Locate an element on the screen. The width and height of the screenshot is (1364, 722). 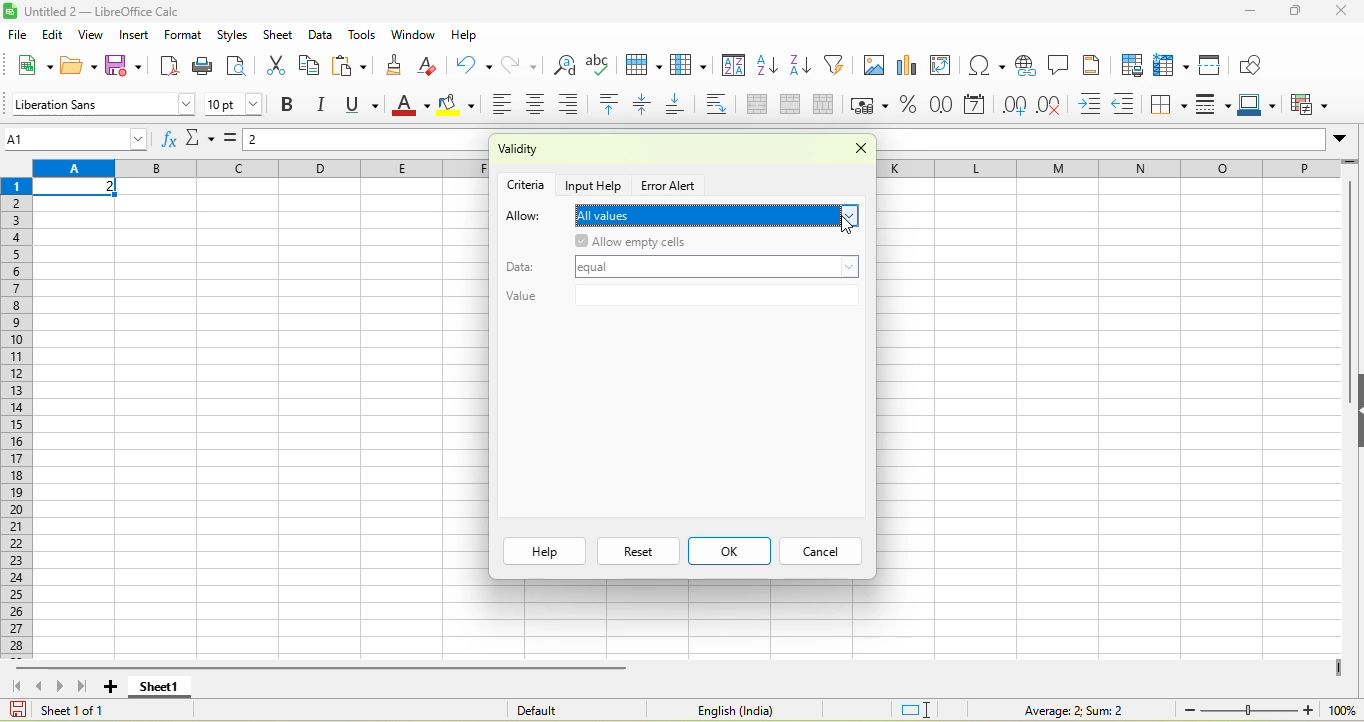
scroll top last sheet is located at coordinates (86, 686).